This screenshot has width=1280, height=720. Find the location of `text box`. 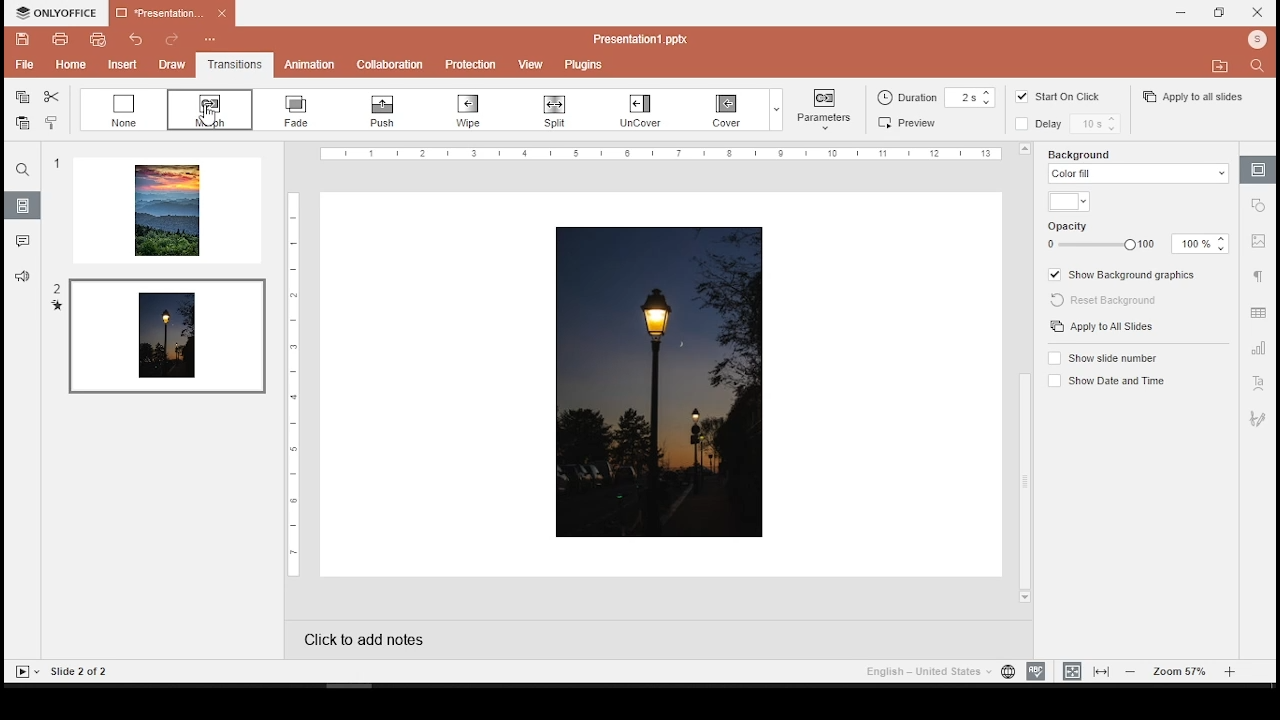

text box is located at coordinates (556, 112).